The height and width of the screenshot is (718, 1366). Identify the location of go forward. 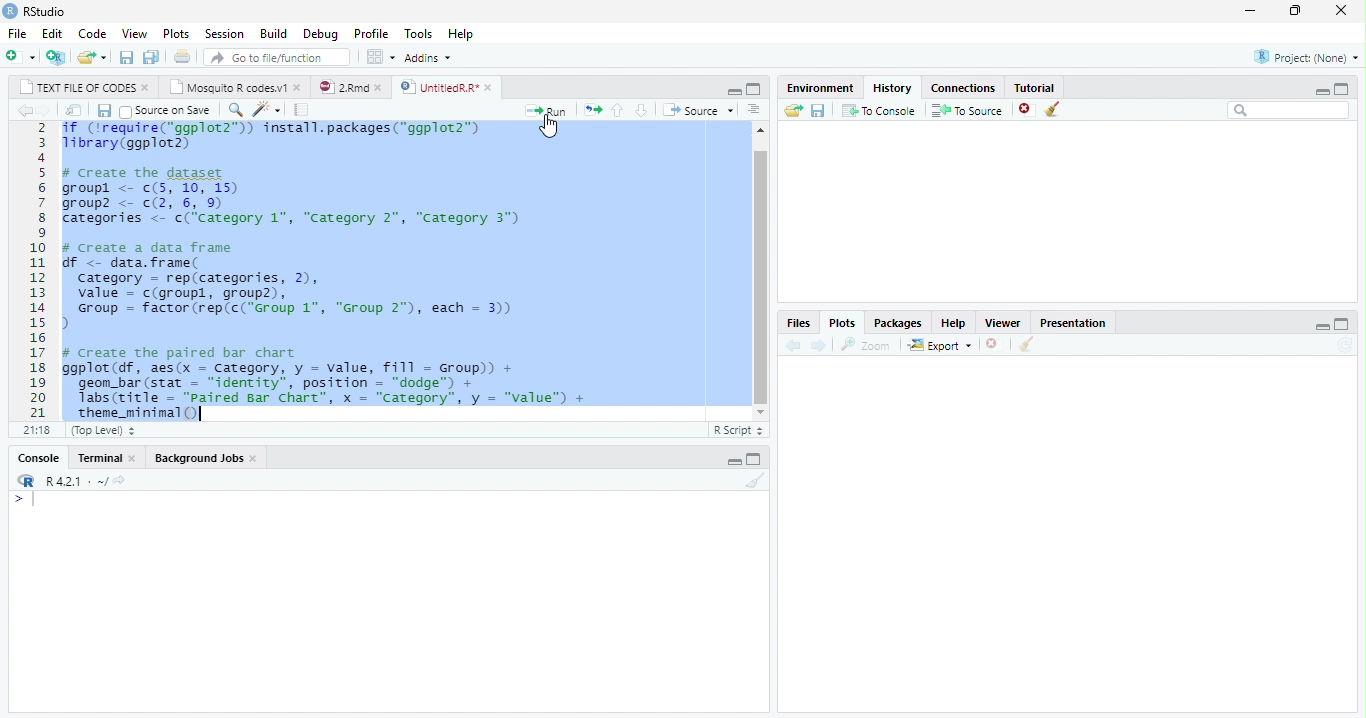
(42, 111).